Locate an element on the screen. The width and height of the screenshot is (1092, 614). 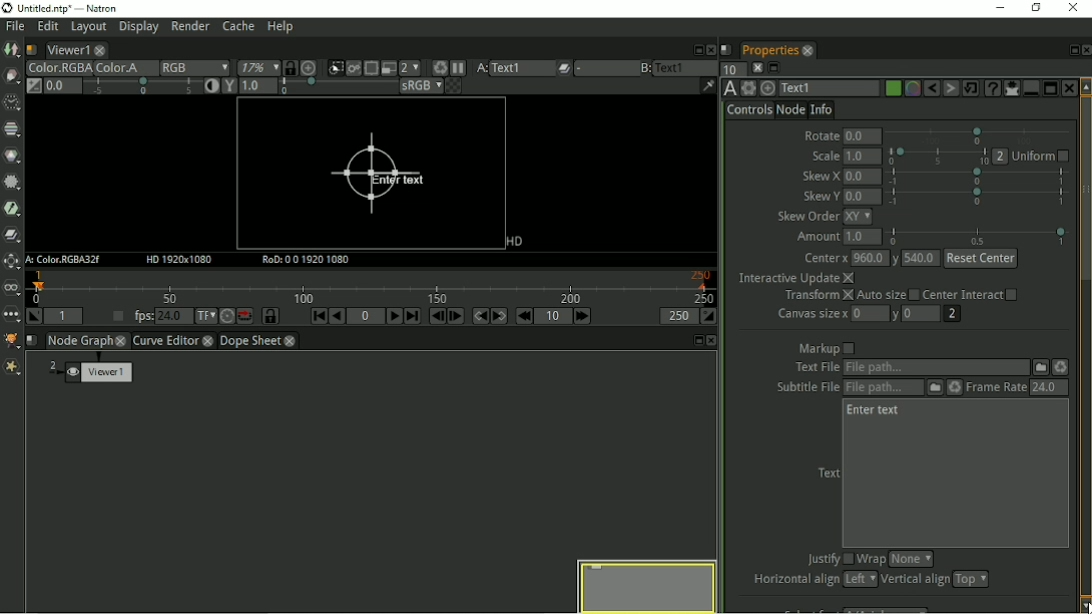
Preview is located at coordinates (644, 584).